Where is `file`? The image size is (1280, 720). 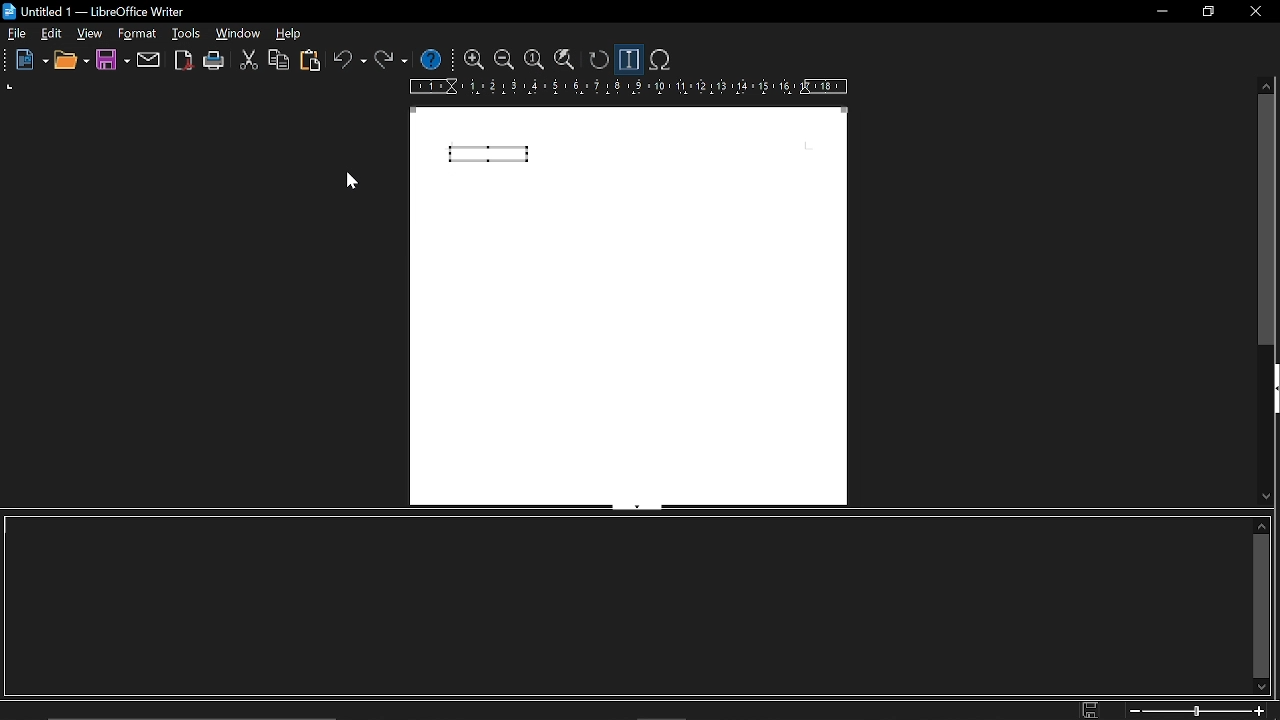 file is located at coordinates (18, 34).